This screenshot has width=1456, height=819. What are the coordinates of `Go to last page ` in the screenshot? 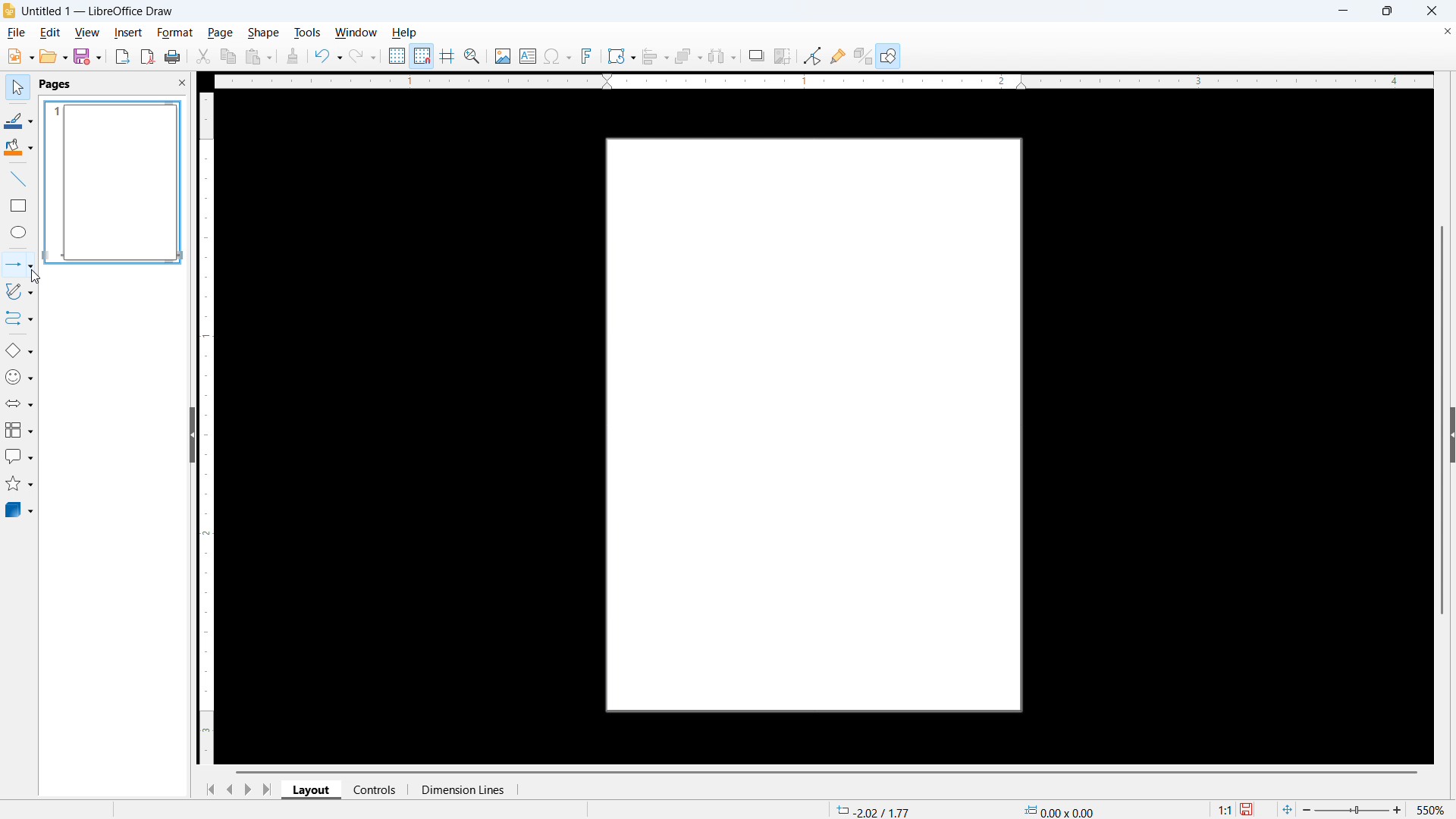 It's located at (269, 789).